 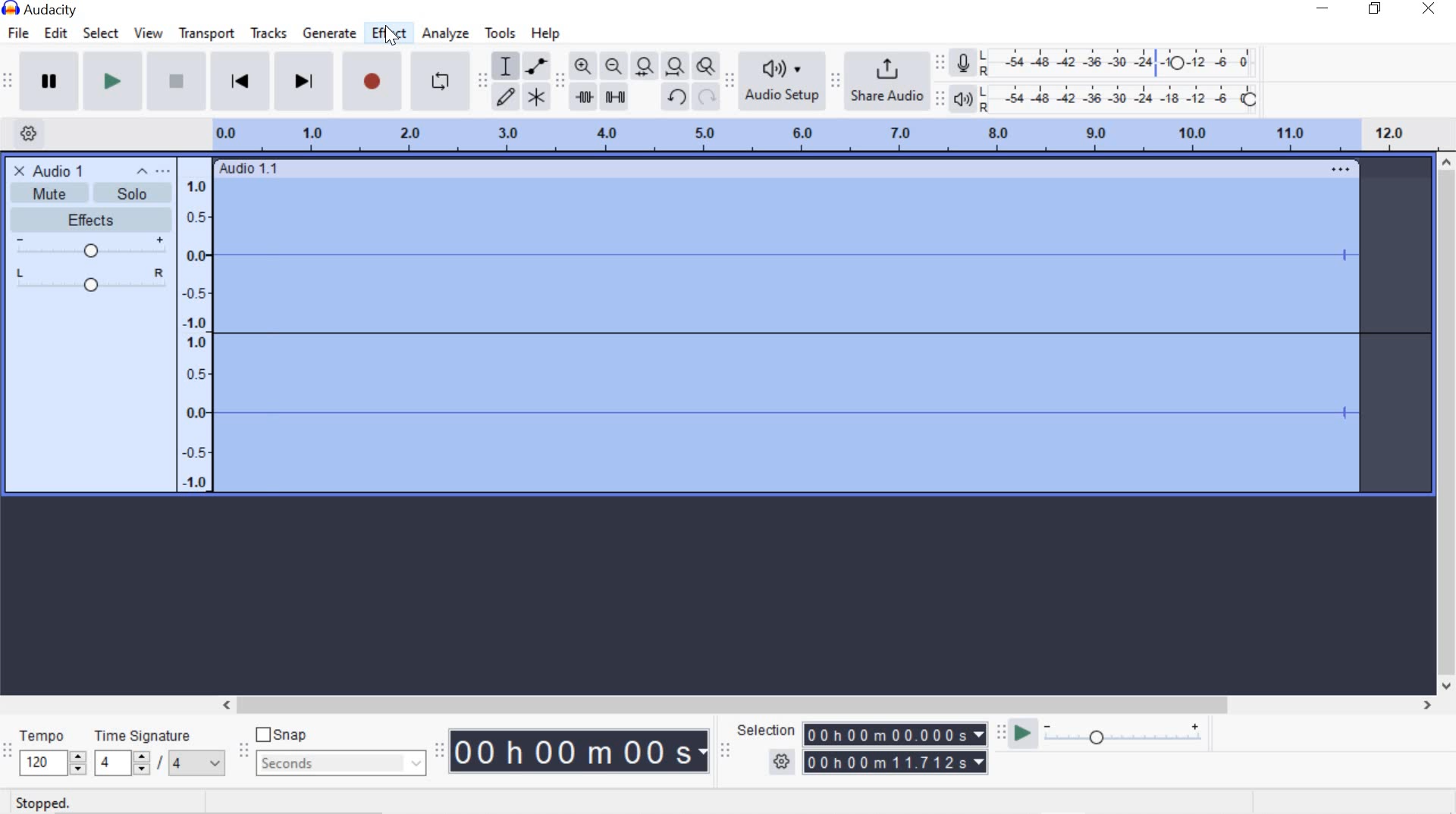 I want to click on Audio setup, so click(x=782, y=81).